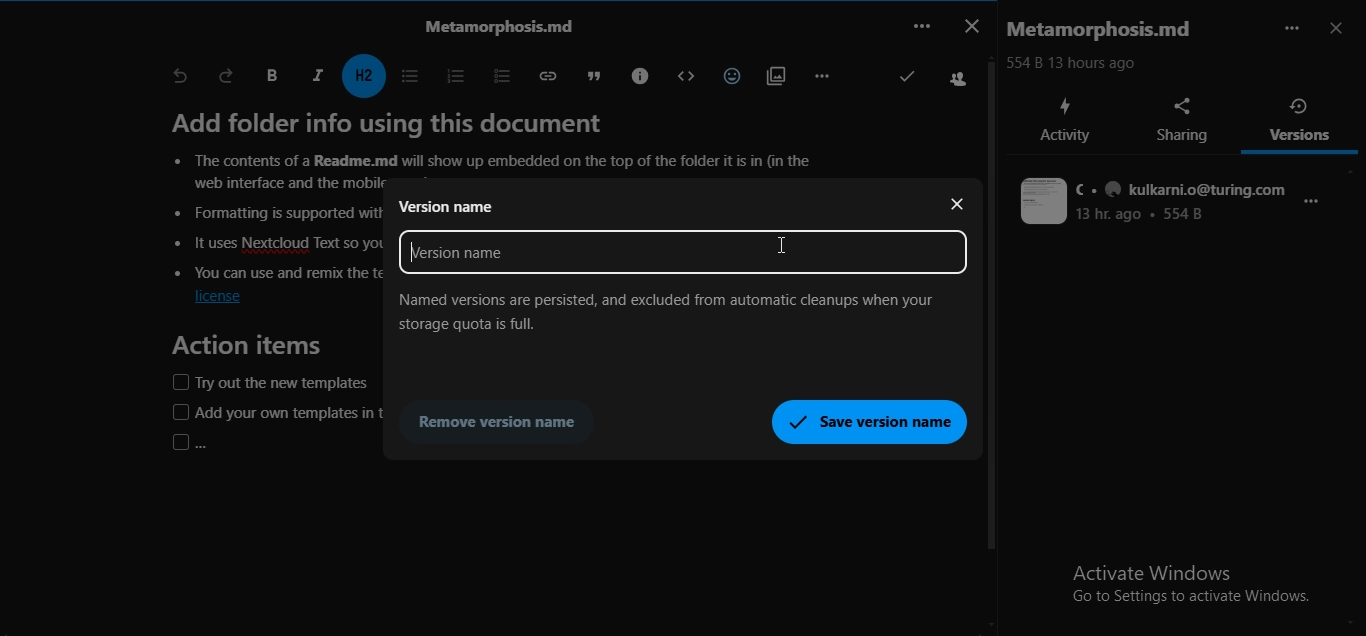  Describe the element at coordinates (1339, 30) in the screenshot. I see `close` at that location.